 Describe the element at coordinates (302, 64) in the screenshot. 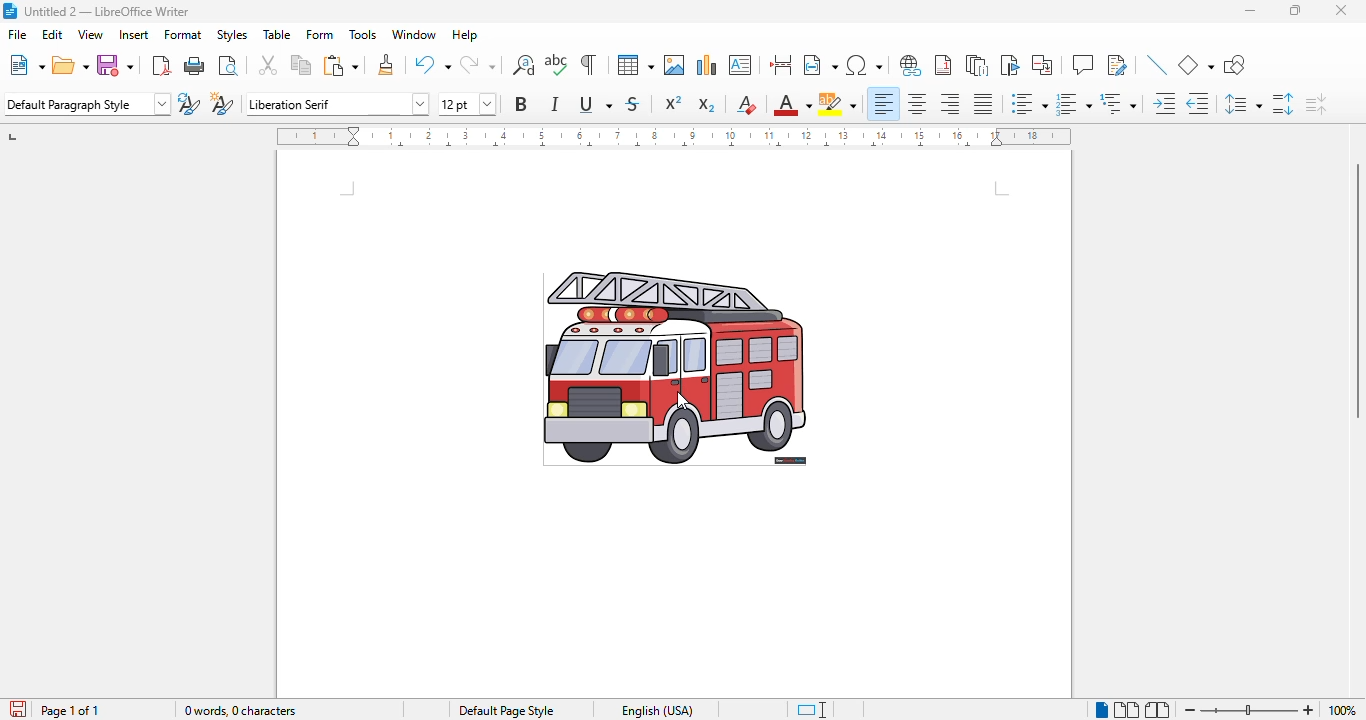

I see `copy` at that location.